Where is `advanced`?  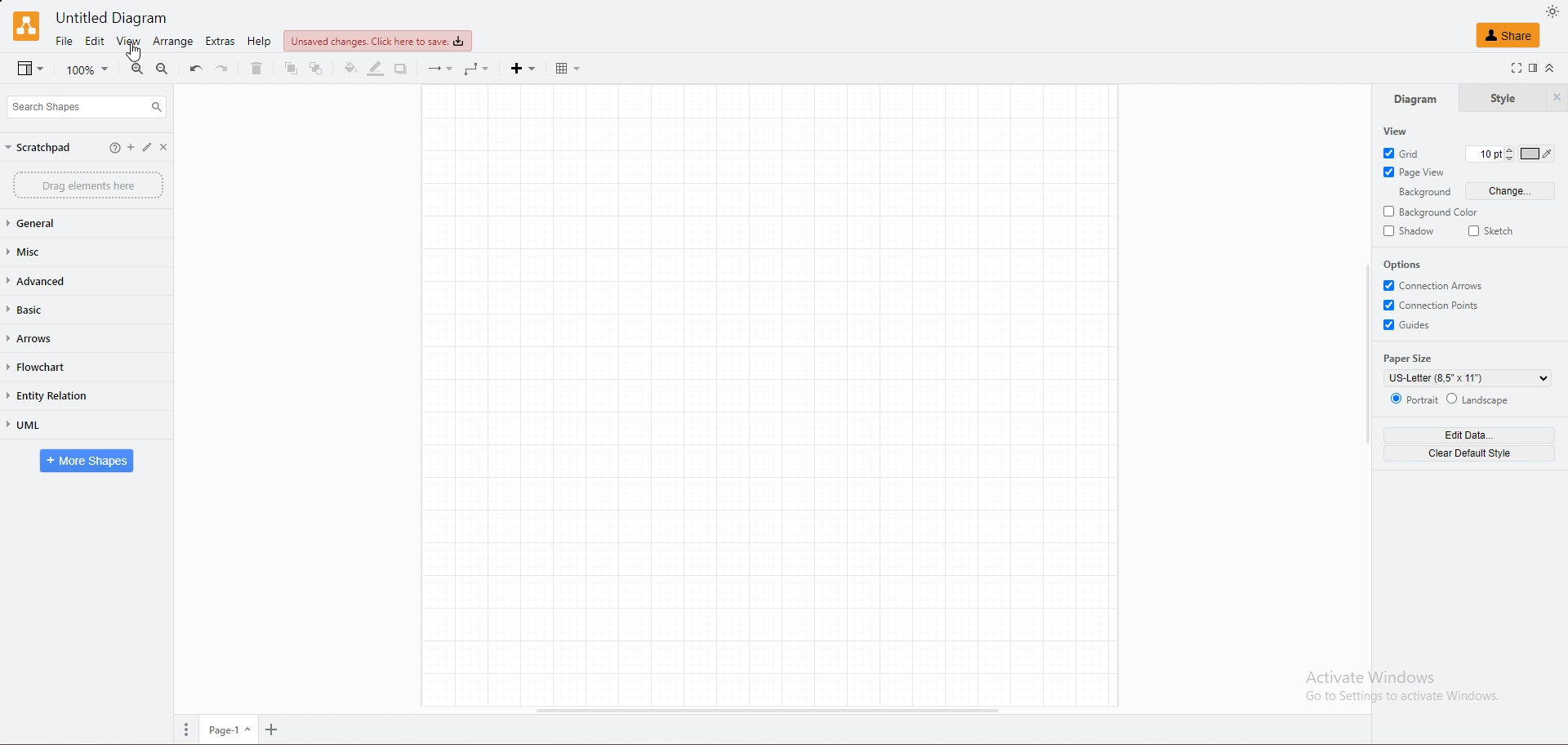 advanced is located at coordinates (47, 280).